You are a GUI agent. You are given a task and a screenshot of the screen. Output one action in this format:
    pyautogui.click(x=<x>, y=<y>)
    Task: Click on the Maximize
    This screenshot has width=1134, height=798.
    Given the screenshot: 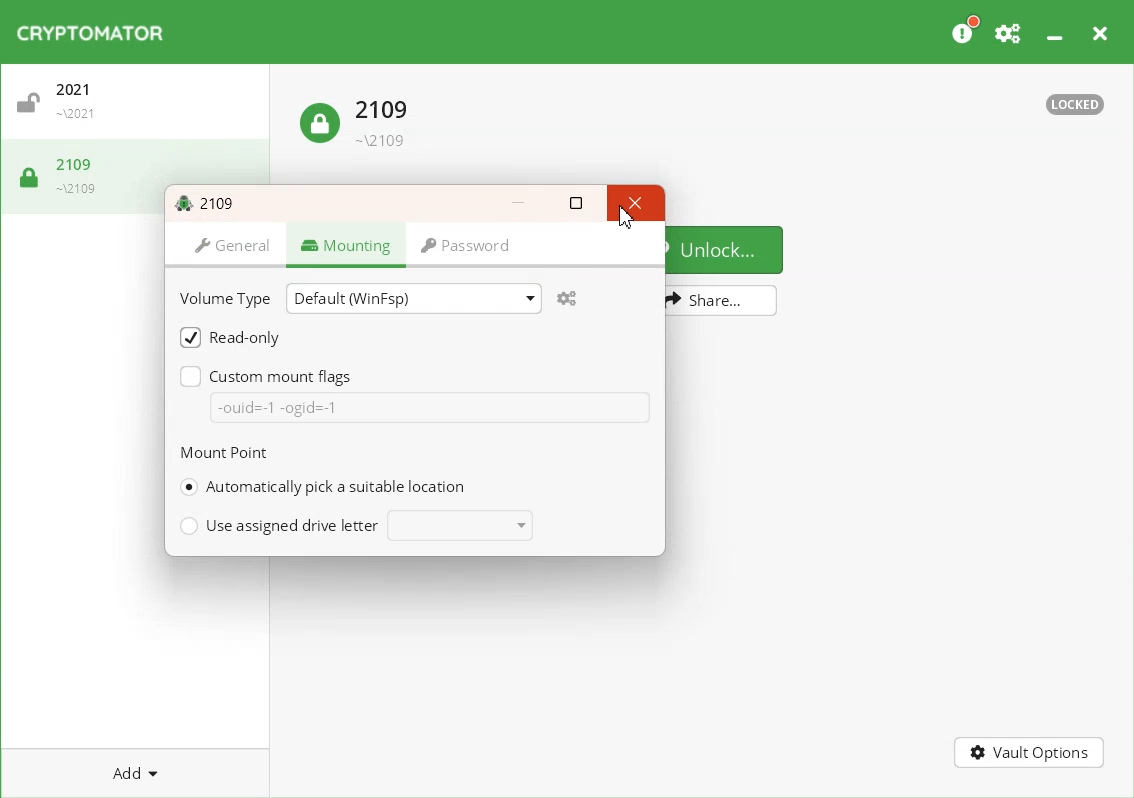 What is the action you would take?
    pyautogui.click(x=577, y=203)
    